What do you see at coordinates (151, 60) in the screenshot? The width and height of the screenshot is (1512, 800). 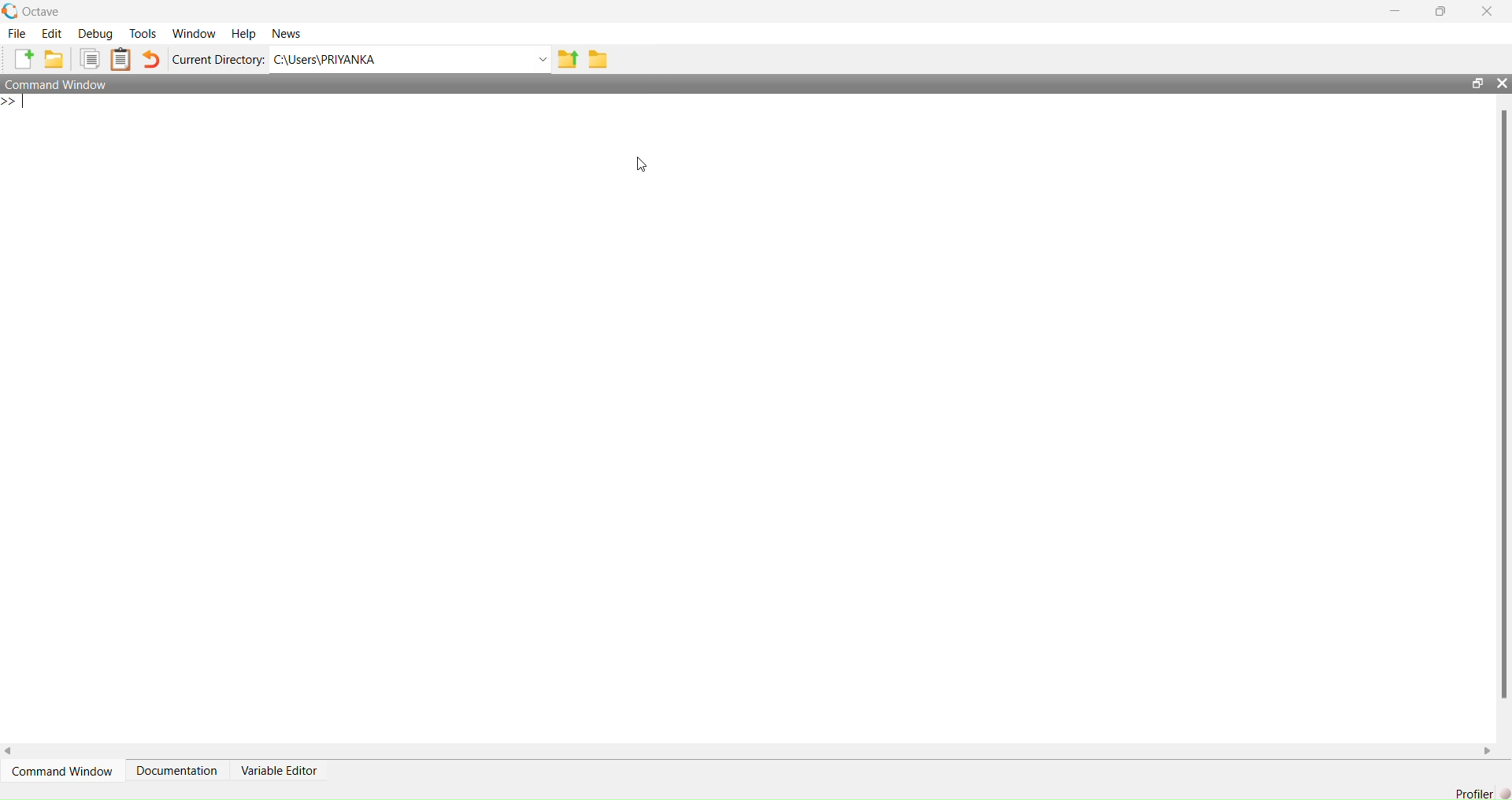 I see `undo` at bounding box center [151, 60].